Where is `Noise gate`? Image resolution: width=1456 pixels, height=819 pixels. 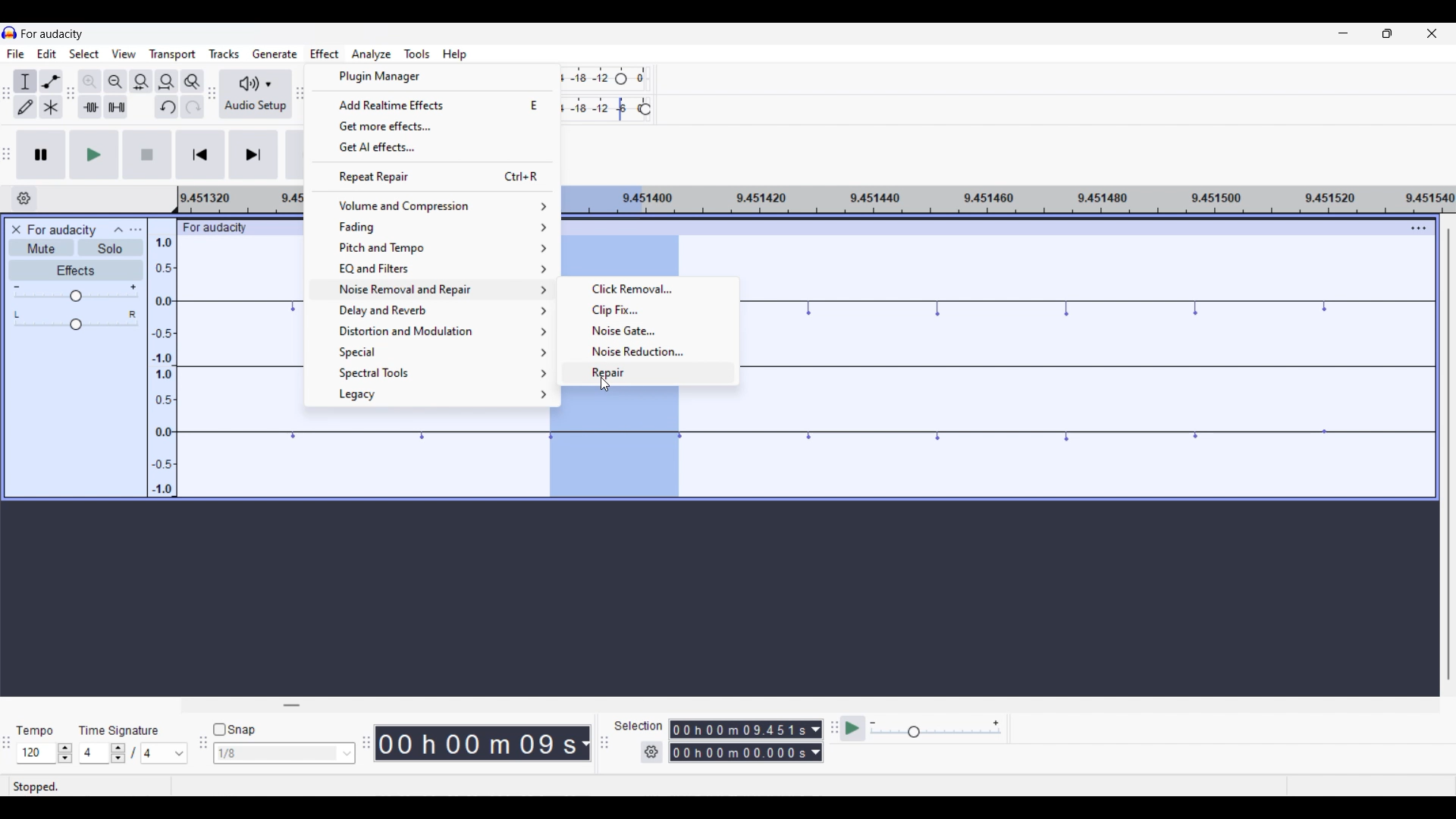
Noise gate is located at coordinates (645, 330).